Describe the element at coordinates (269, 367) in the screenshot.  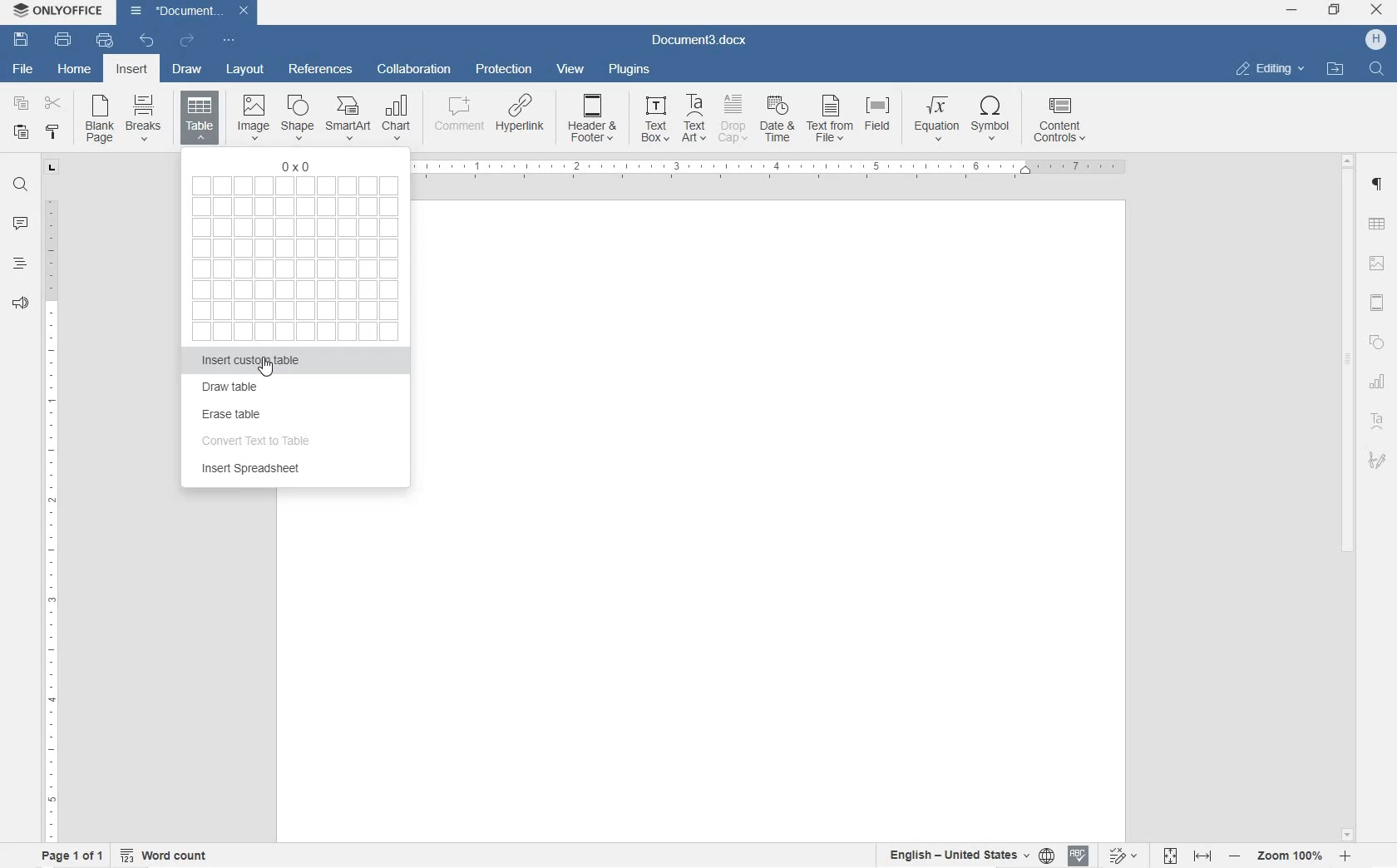
I see `cursor` at that location.